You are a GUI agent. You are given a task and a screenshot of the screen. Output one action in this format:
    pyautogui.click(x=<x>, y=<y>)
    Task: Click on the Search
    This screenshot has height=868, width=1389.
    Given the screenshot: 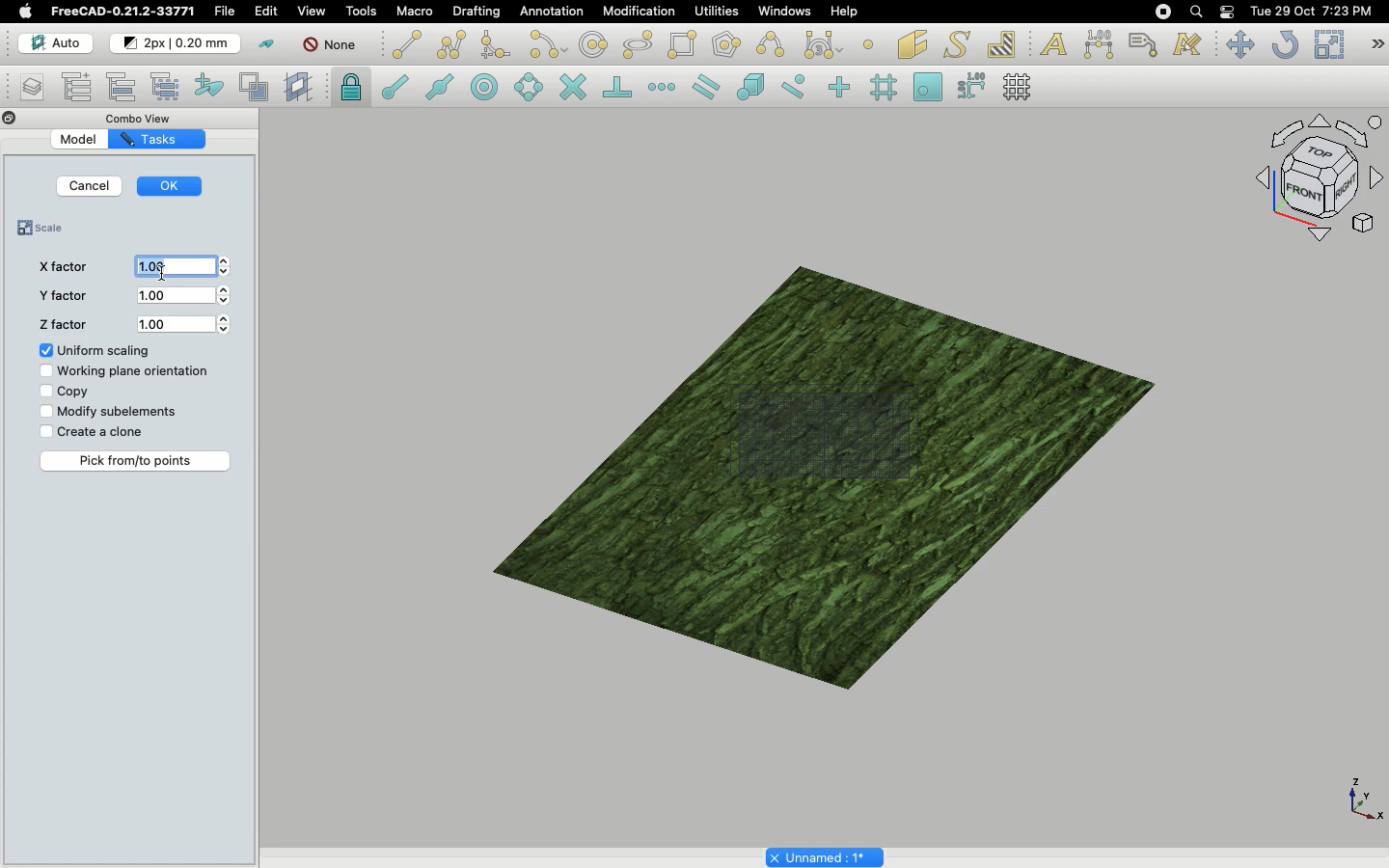 What is the action you would take?
    pyautogui.click(x=1195, y=12)
    